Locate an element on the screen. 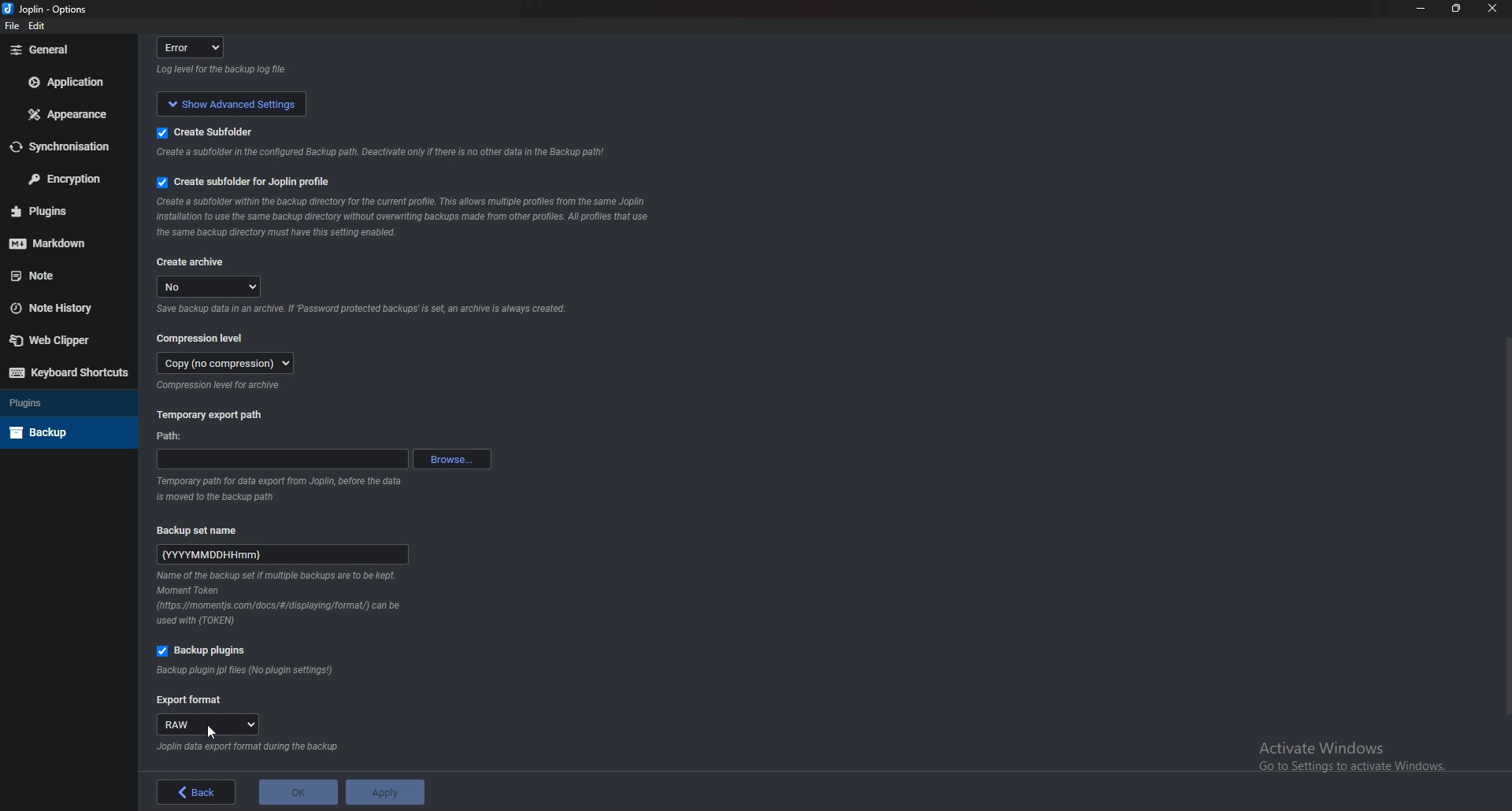 The image size is (1512, 811). Web Clipper is located at coordinates (61, 339).